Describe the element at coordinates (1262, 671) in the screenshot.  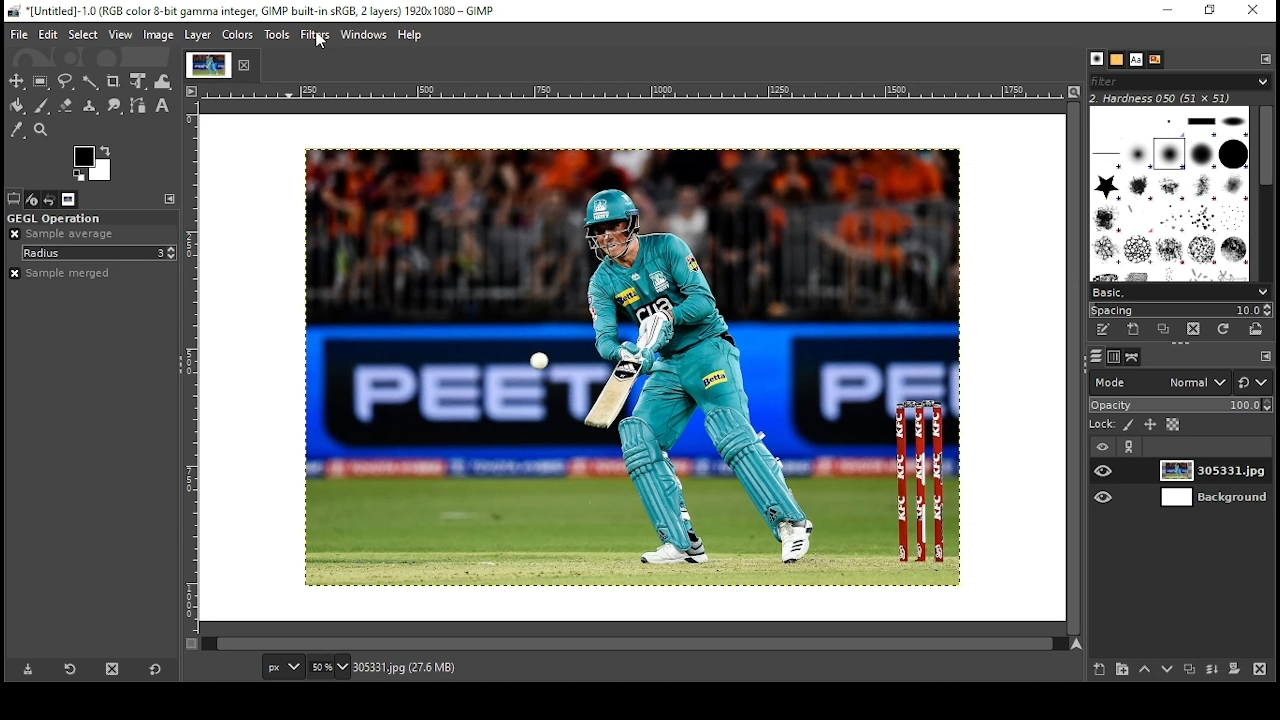
I see `delete layer` at that location.